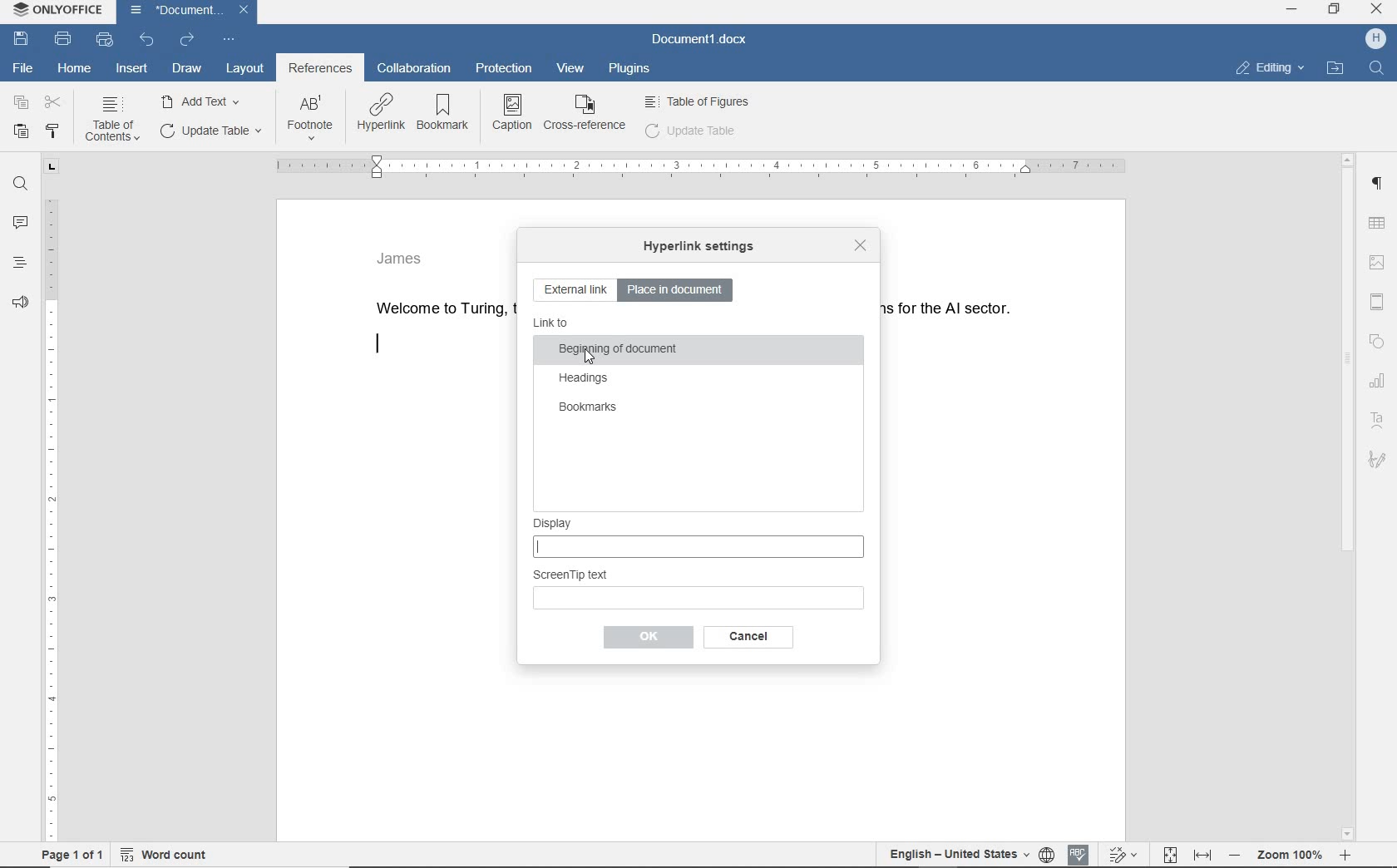 This screenshot has width=1397, height=868. Describe the element at coordinates (513, 112) in the screenshot. I see `CAPTION` at that location.